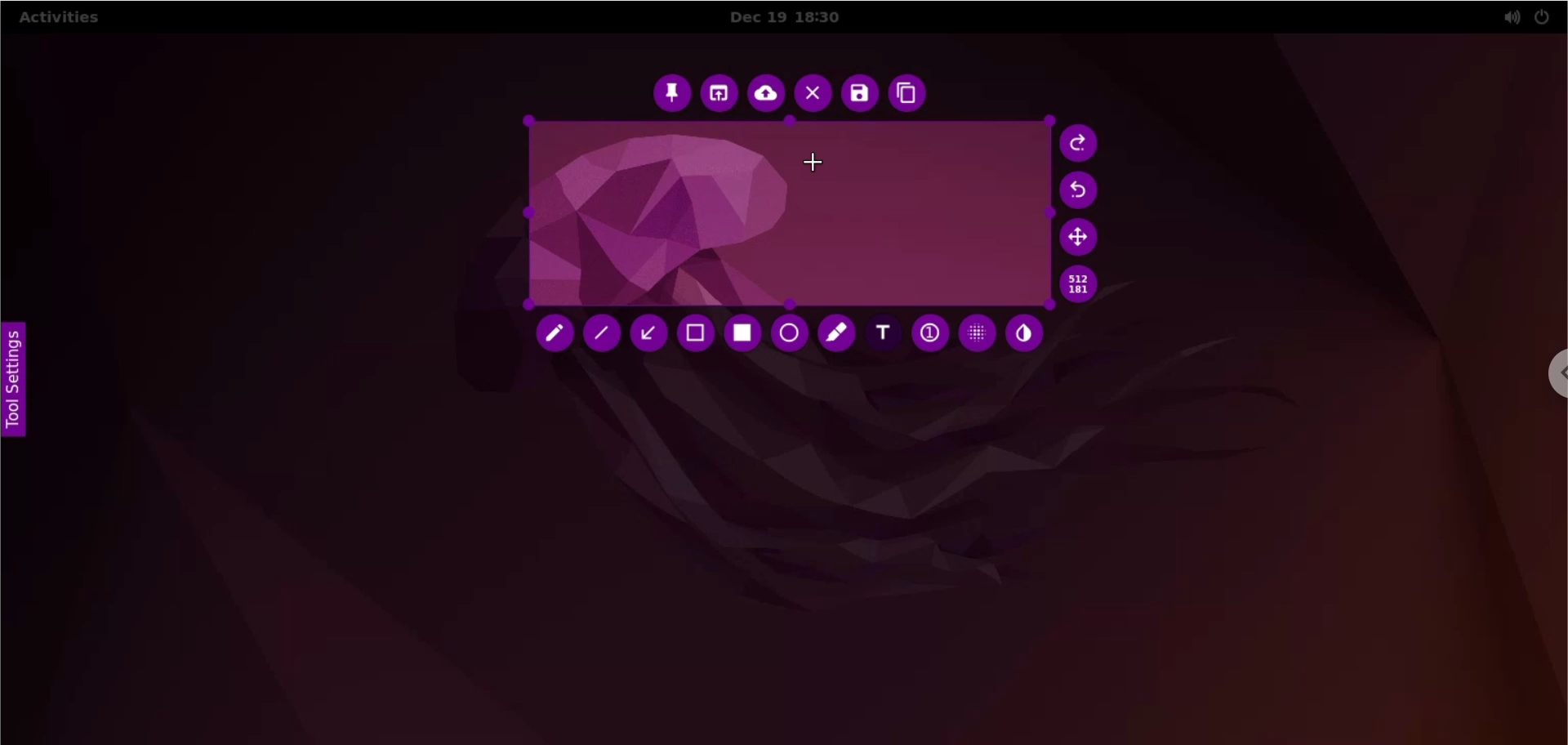 This screenshot has width=1568, height=745. Describe the element at coordinates (812, 161) in the screenshot. I see `cursor ` at that location.